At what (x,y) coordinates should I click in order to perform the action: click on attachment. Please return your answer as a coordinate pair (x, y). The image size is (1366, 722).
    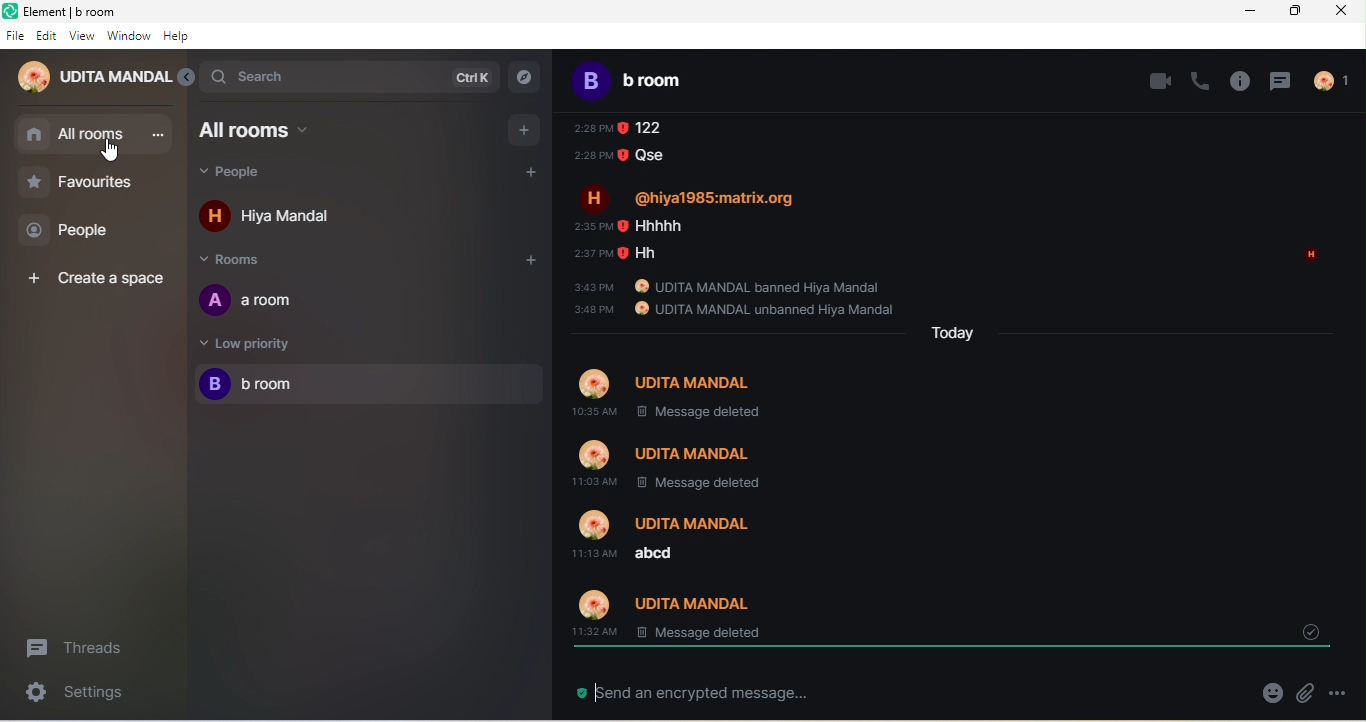
    Looking at the image, I should click on (1306, 694).